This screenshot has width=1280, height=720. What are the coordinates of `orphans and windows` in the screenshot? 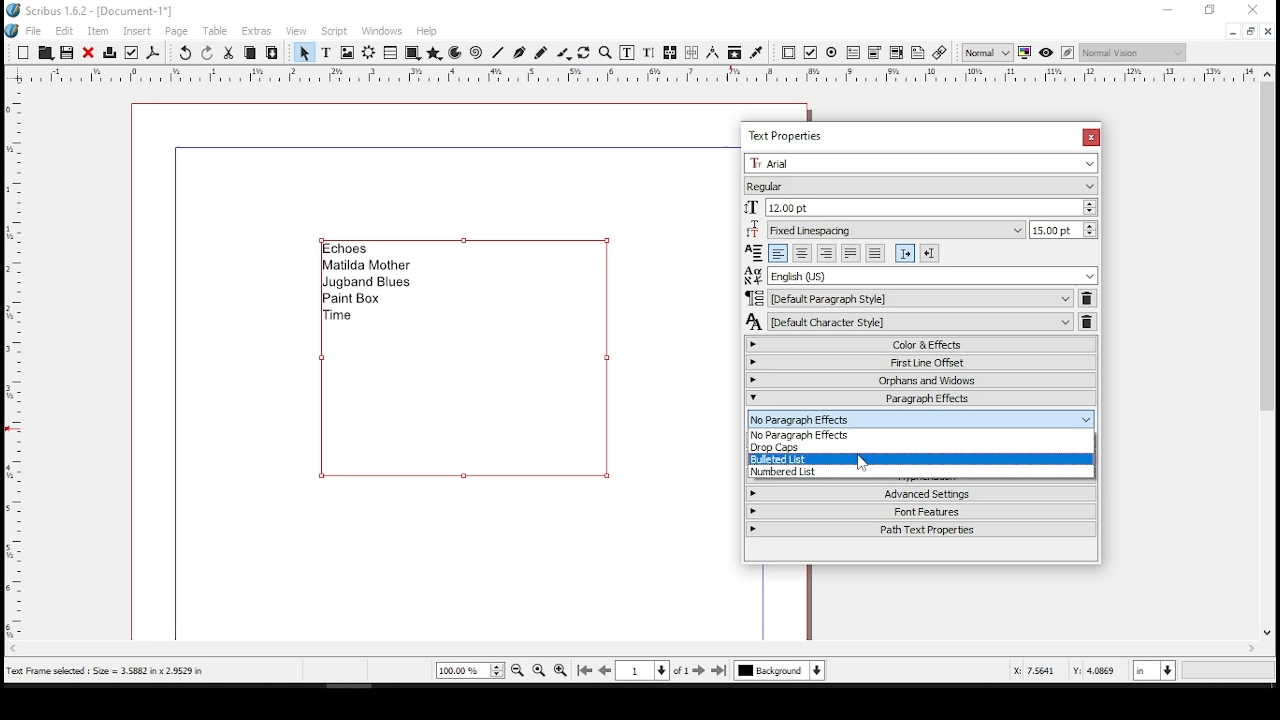 It's located at (922, 380).